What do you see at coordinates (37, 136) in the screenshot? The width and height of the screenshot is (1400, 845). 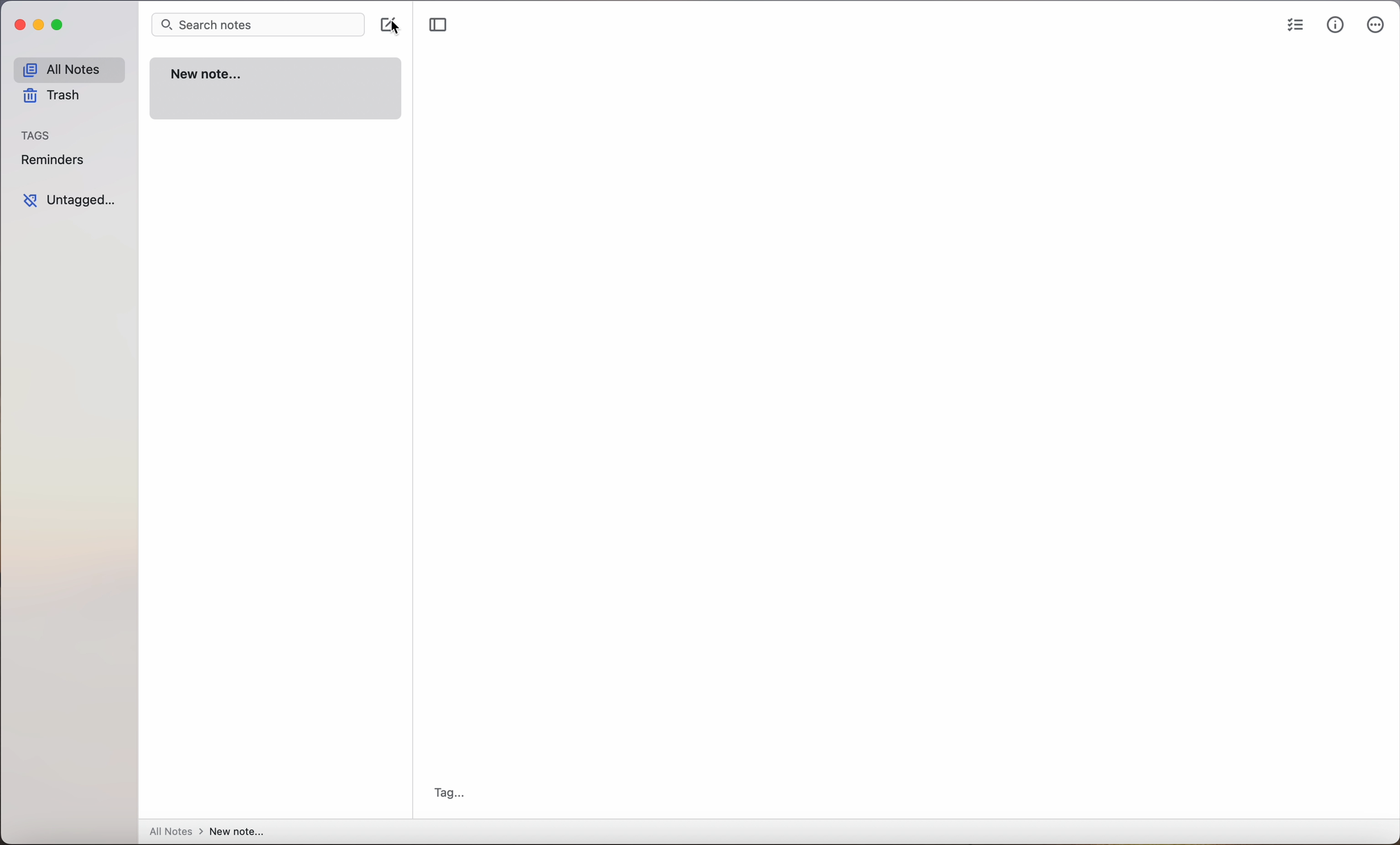 I see `tags` at bounding box center [37, 136].